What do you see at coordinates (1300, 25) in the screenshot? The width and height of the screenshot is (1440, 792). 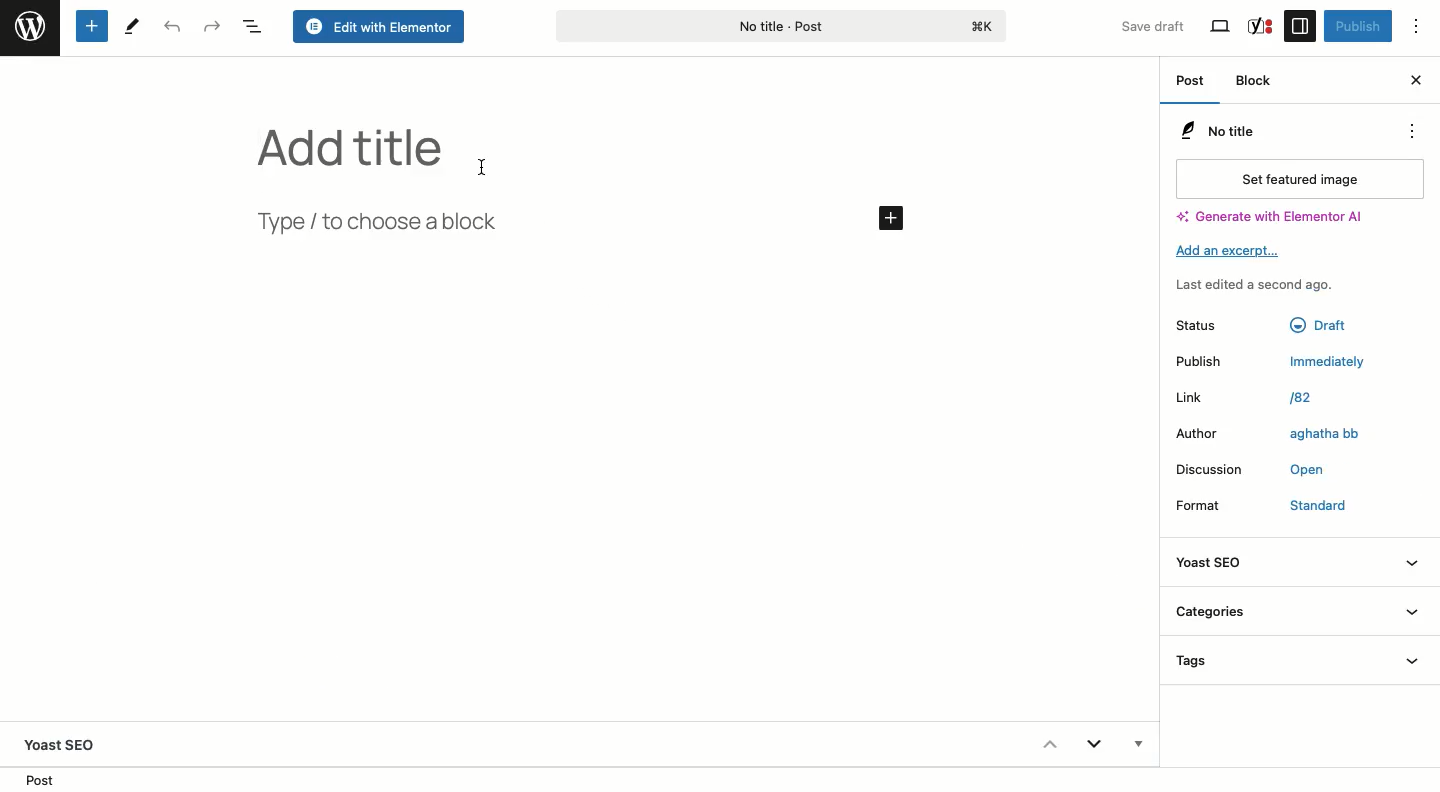 I see `Sidebar` at bounding box center [1300, 25].